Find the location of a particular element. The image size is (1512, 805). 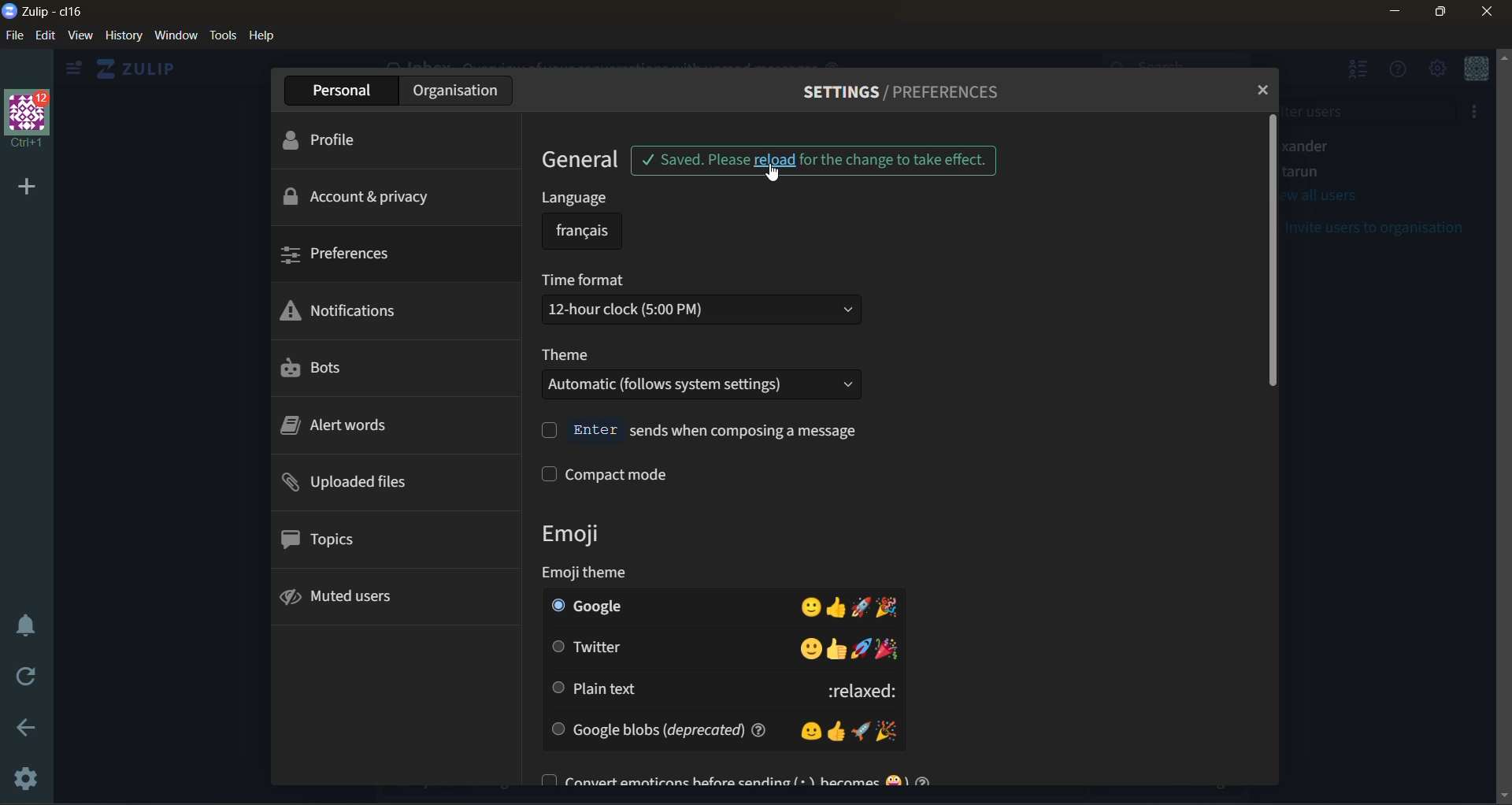

theme is located at coordinates (712, 376).